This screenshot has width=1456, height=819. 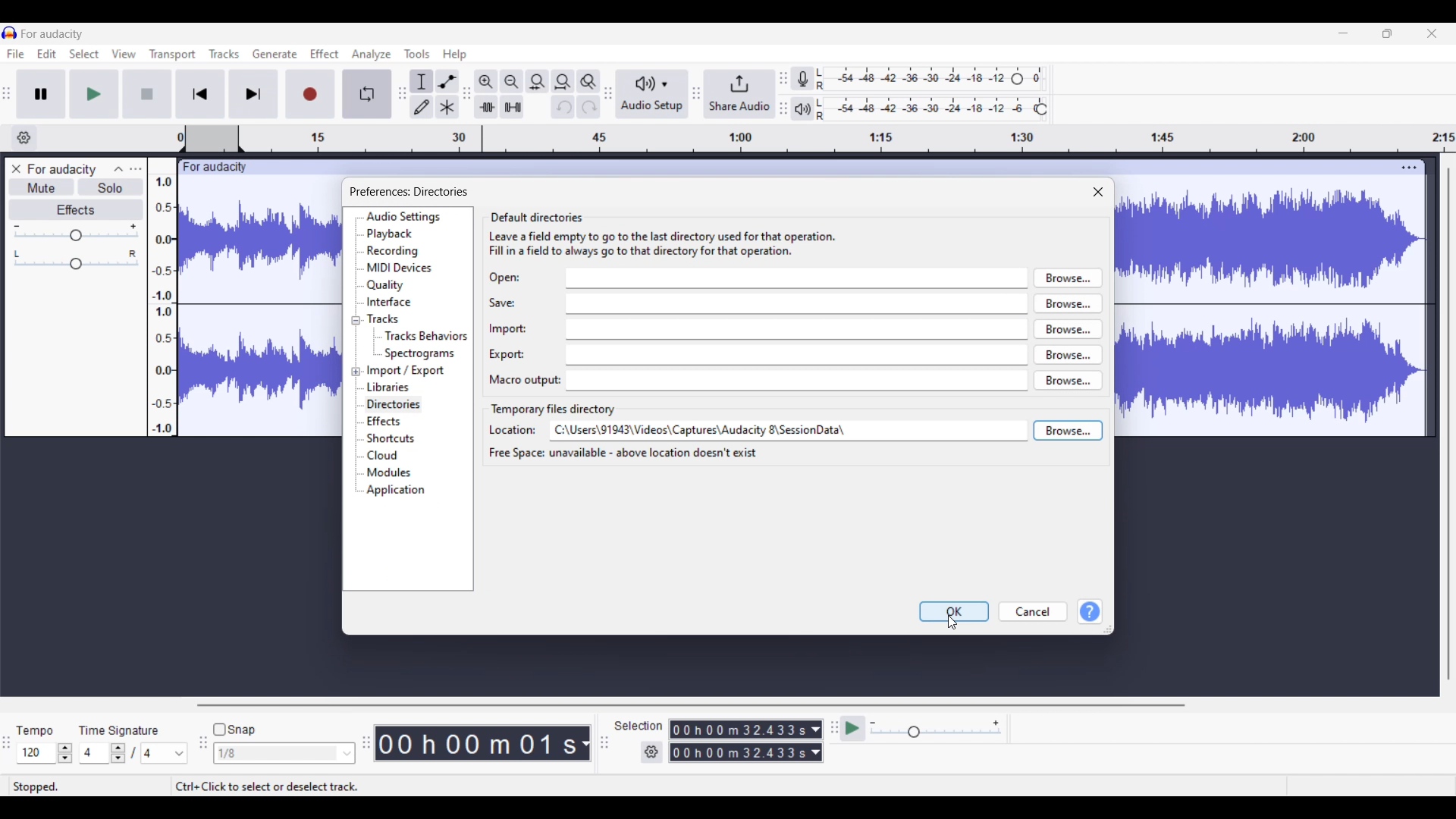 What do you see at coordinates (17, 169) in the screenshot?
I see `Close track` at bounding box center [17, 169].